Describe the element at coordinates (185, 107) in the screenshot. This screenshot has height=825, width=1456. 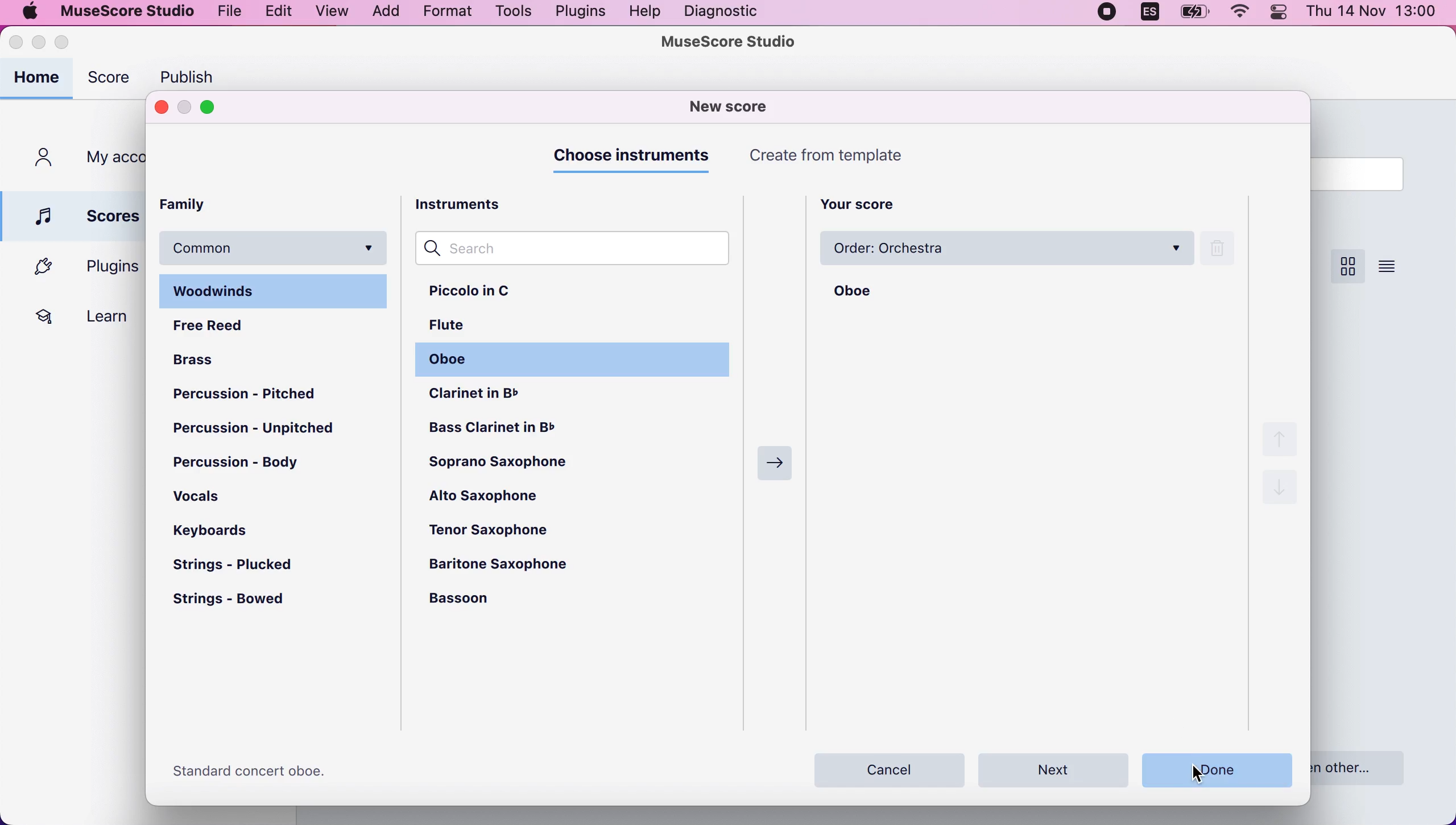
I see `minimize` at that location.